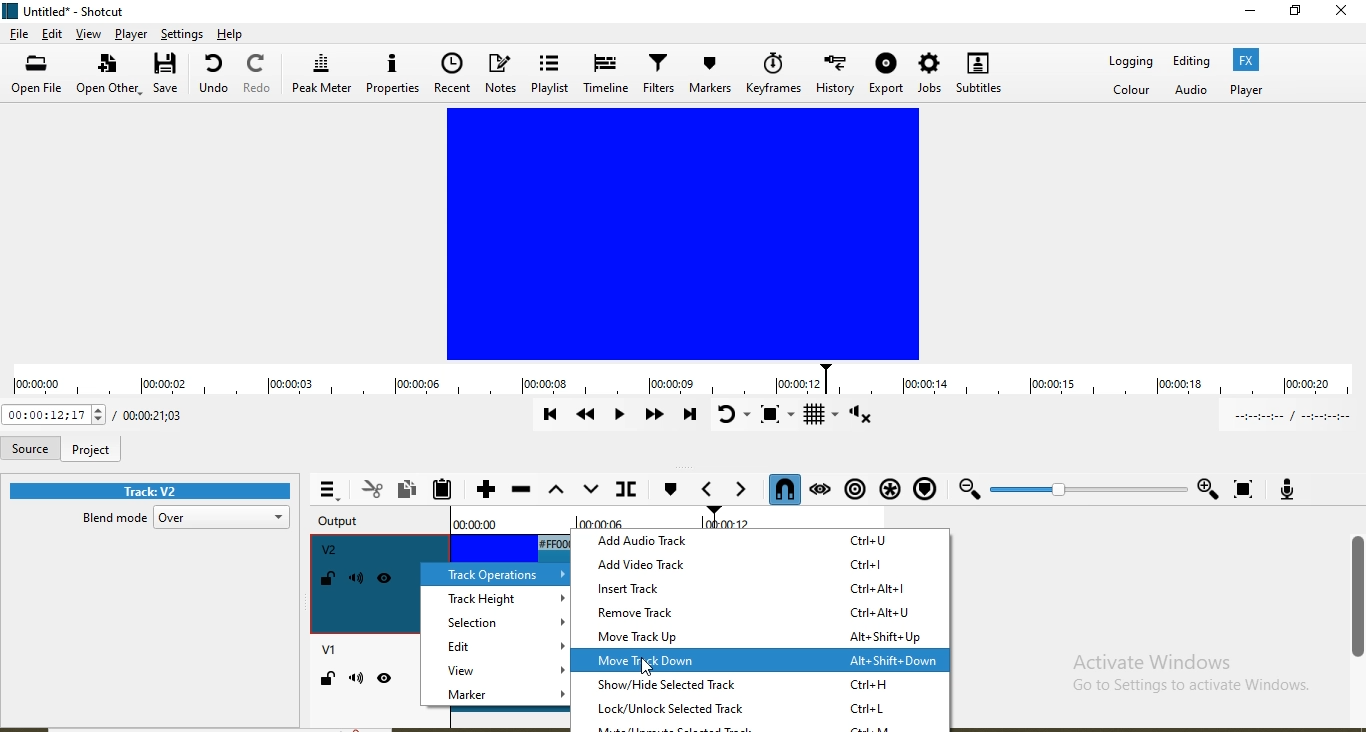 This screenshot has width=1366, height=732. What do you see at coordinates (225, 518) in the screenshot?
I see `over` at bounding box center [225, 518].